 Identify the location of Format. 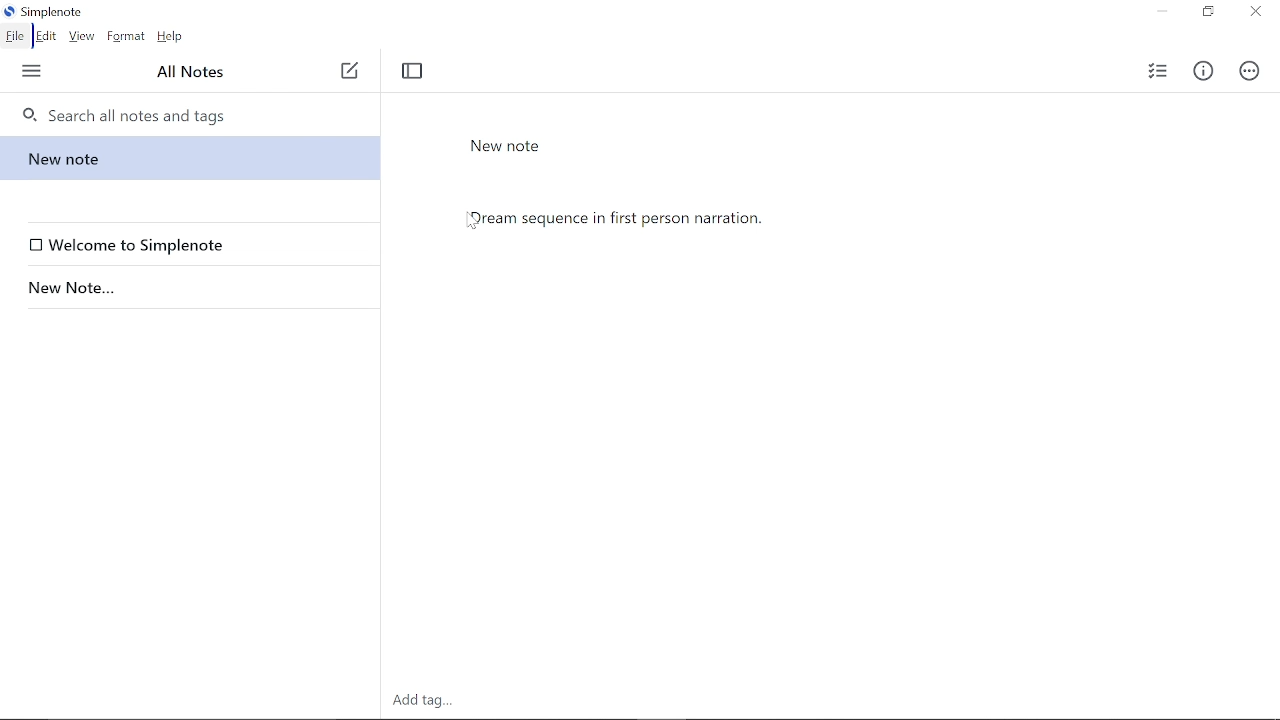
(125, 36).